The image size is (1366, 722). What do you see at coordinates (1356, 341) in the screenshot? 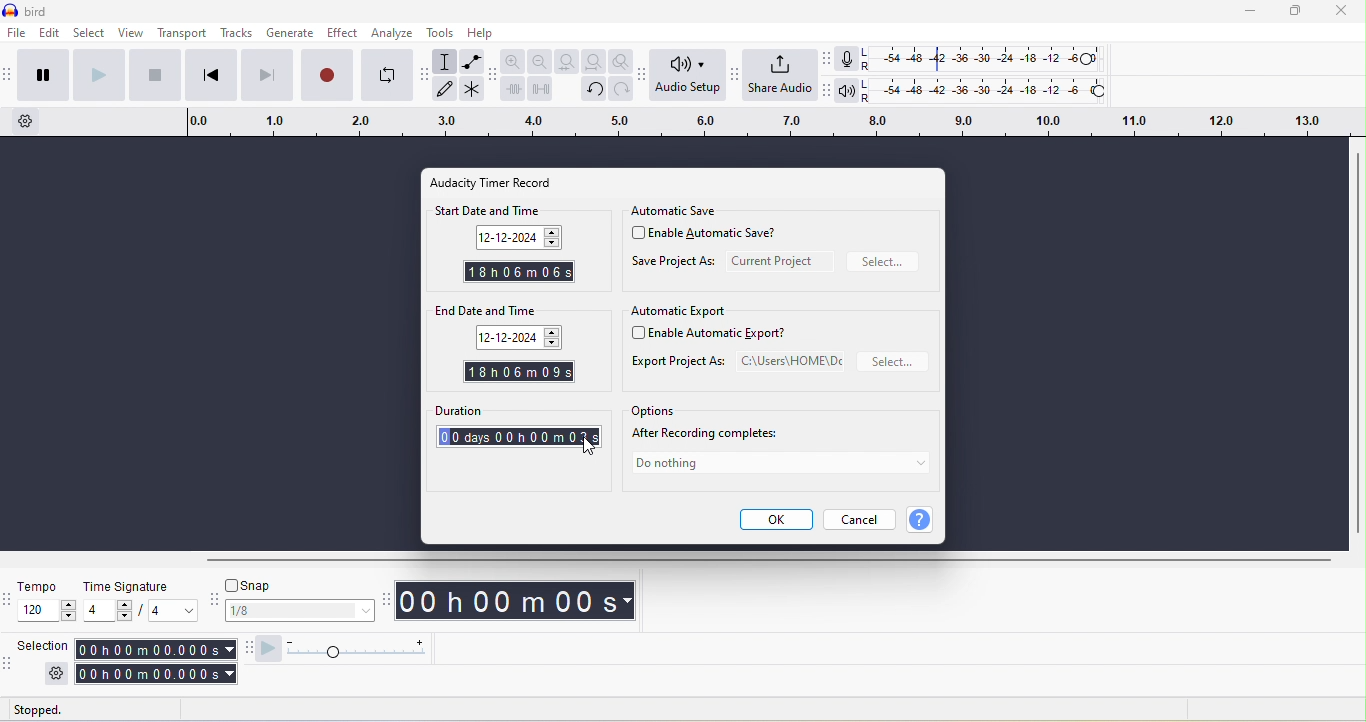
I see `vertical scroll bar` at bounding box center [1356, 341].